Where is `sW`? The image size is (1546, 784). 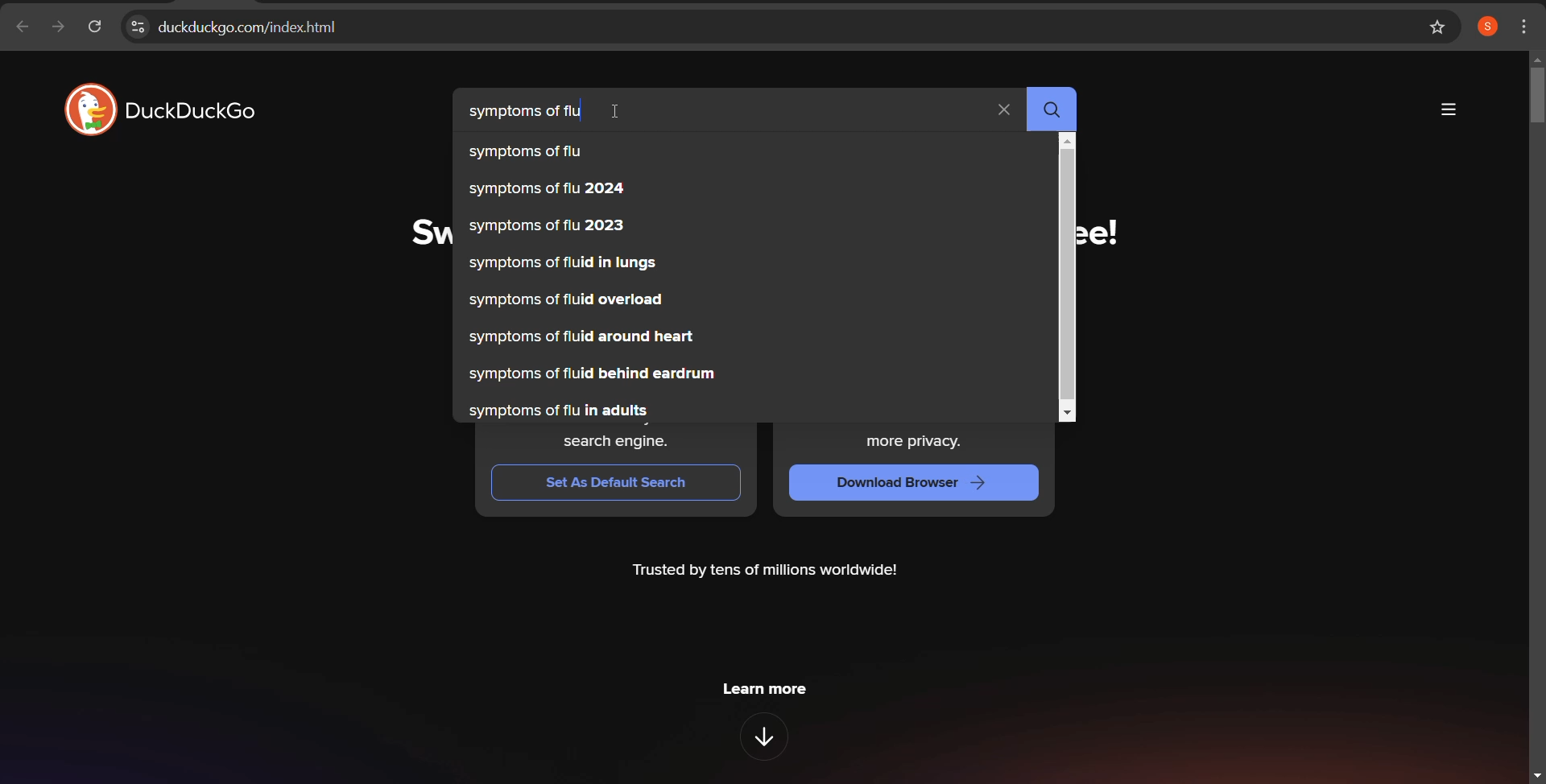 sW is located at coordinates (428, 233).